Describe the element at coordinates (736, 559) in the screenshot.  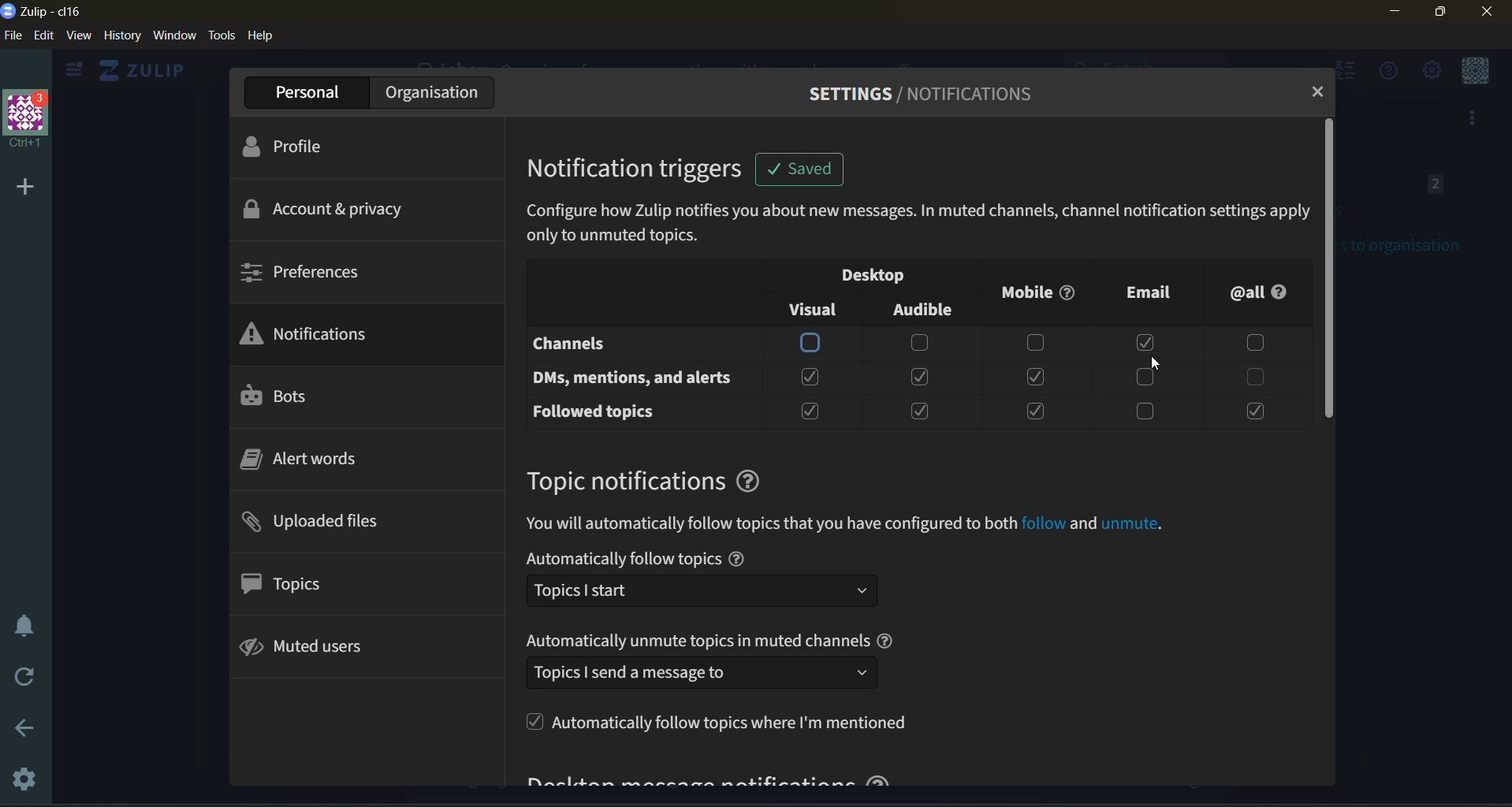
I see `help` at that location.